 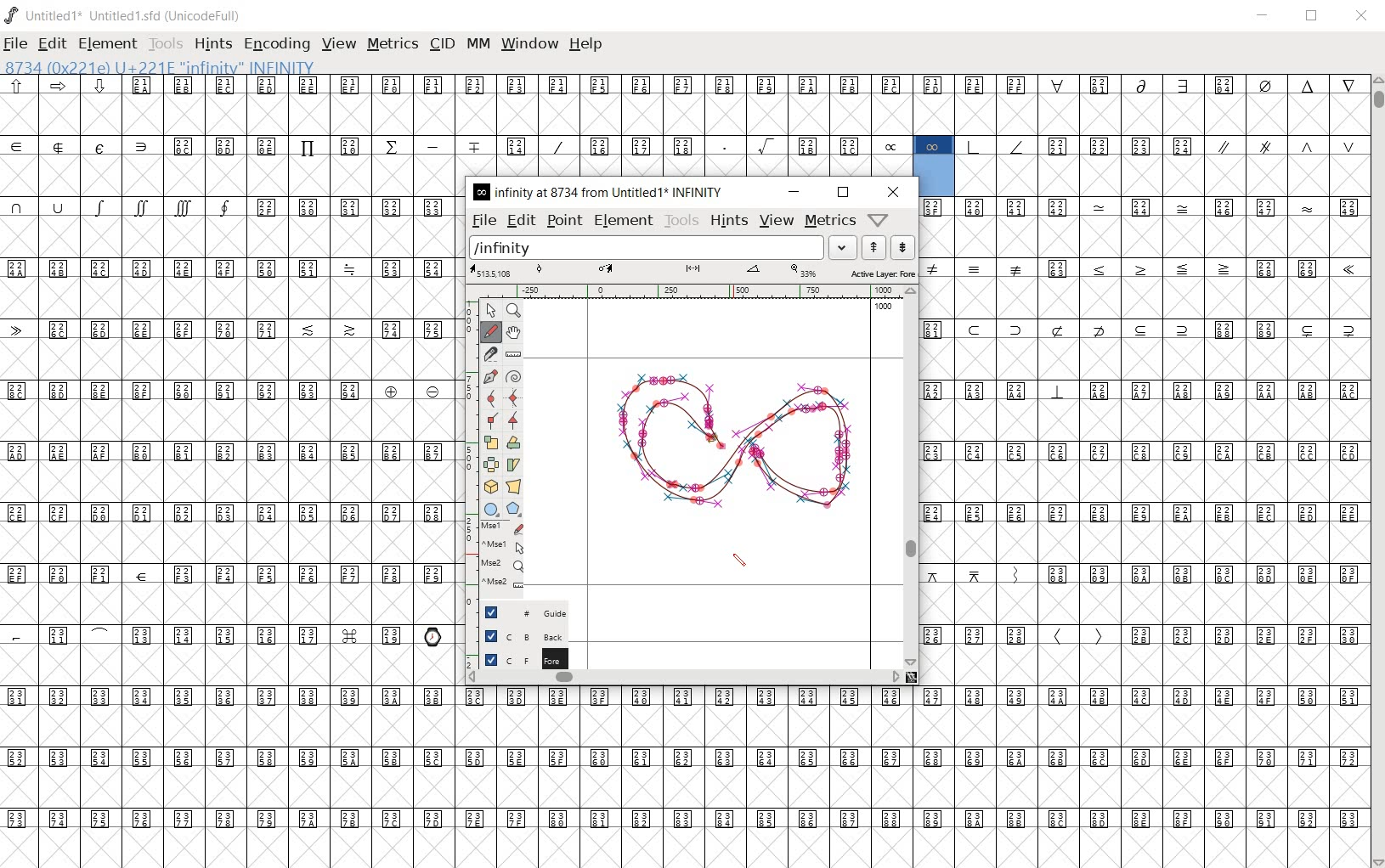 What do you see at coordinates (1243, 635) in the screenshot?
I see `Unicode code points` at bounding box center [1243, 635].